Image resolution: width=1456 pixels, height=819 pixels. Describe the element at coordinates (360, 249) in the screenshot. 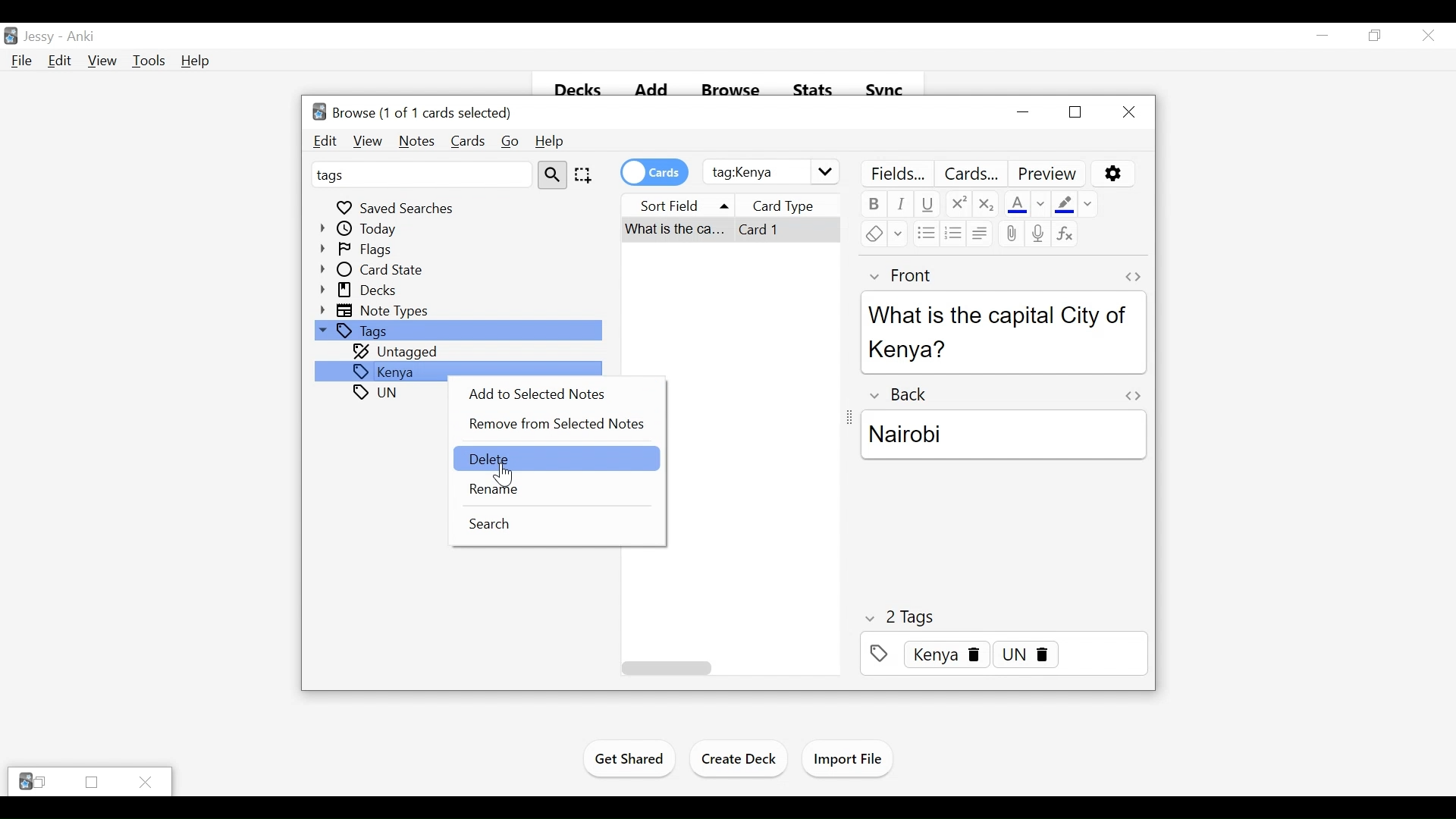

I see `Flags` at that location.